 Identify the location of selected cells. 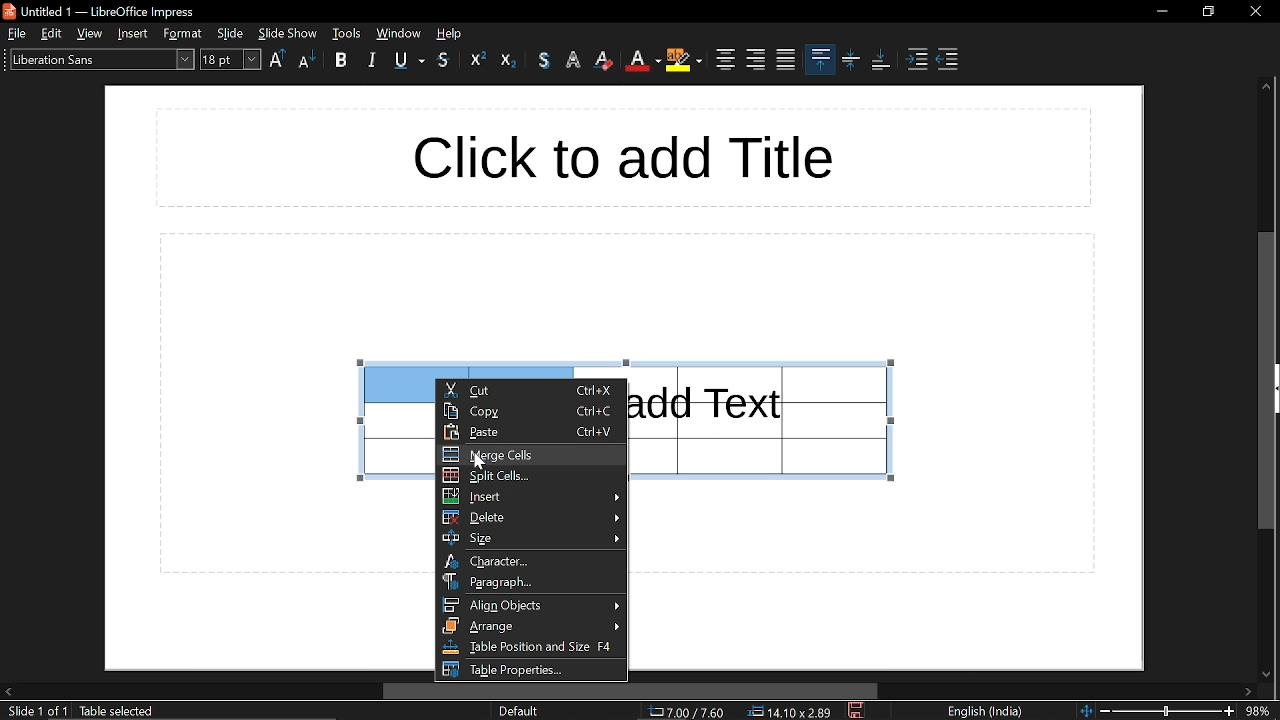
(392, 385).